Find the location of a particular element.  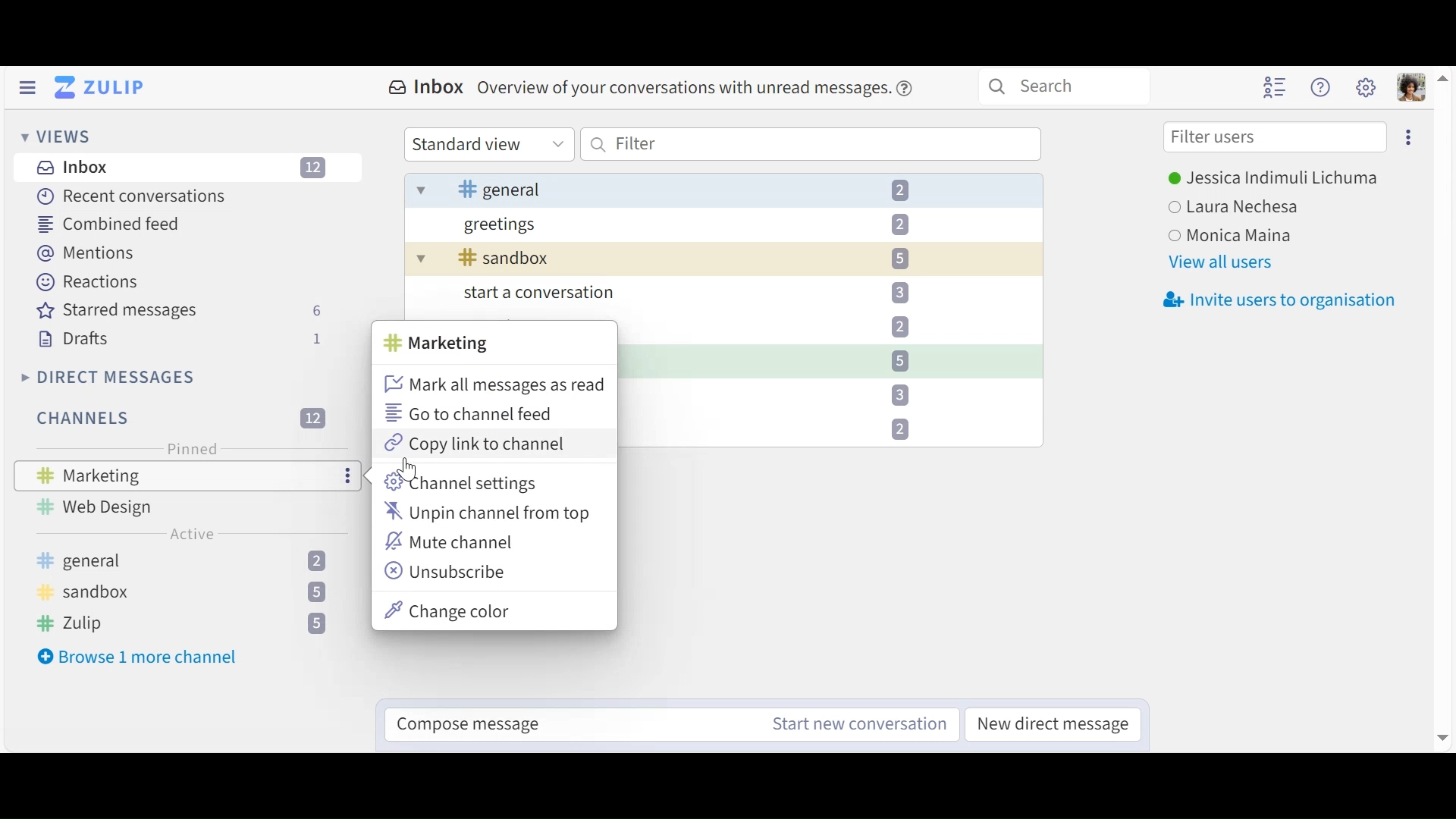

Channel settings is located at coordinates (459, 483).